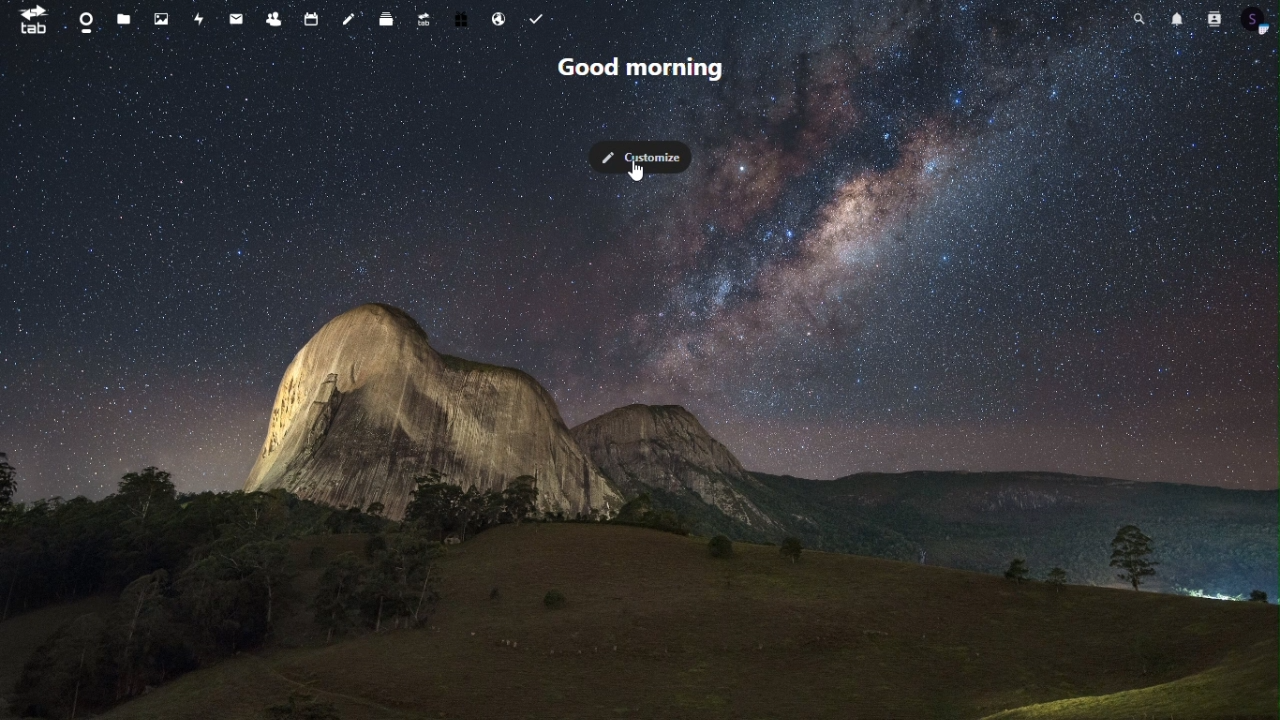 The height and width of the screenshot is (720, 1280). I want to click on files, so click(124, 18).